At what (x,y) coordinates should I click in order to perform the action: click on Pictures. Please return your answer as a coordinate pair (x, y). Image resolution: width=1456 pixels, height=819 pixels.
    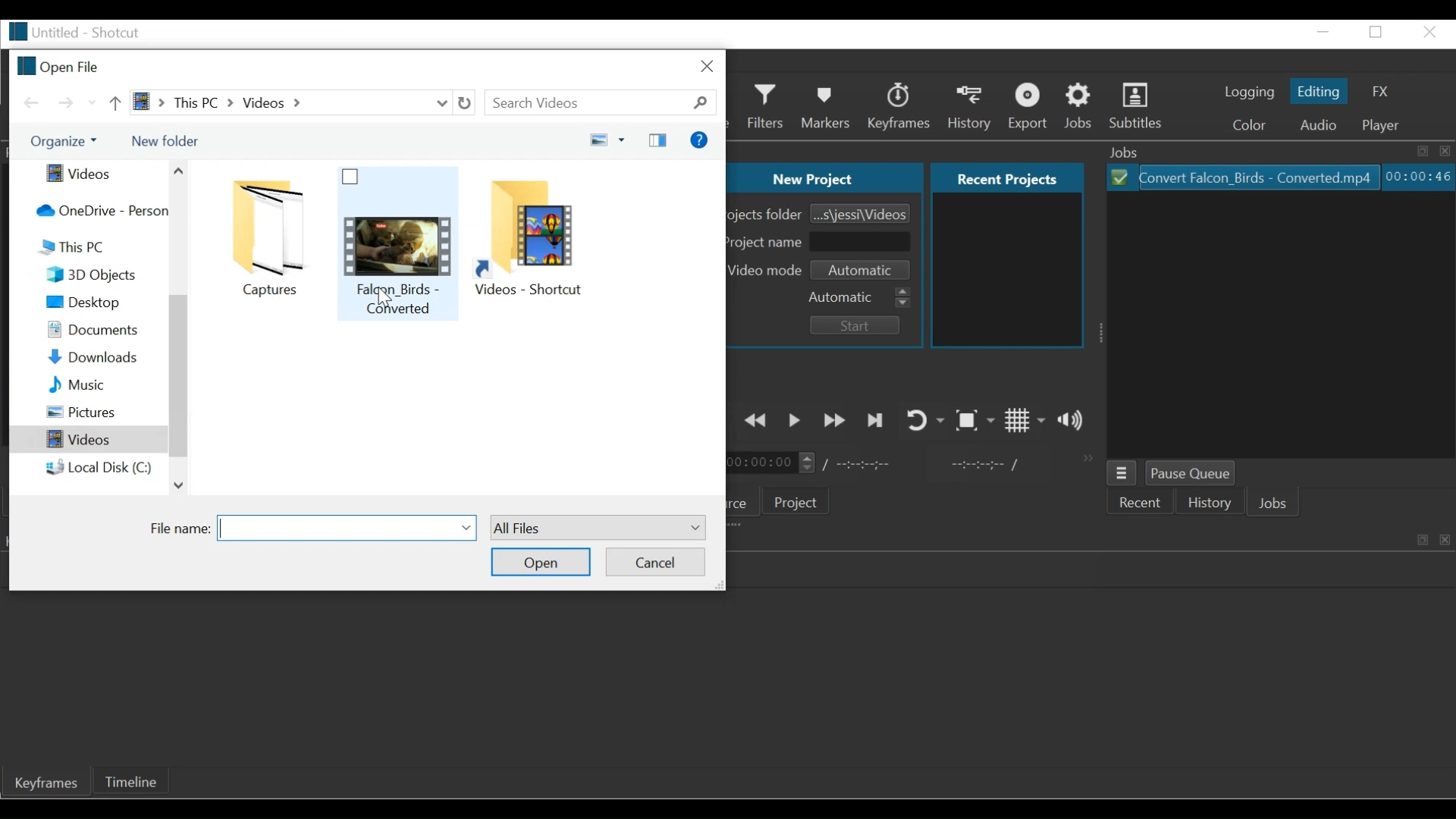
    Looking at the image, I should click on (98, 411).